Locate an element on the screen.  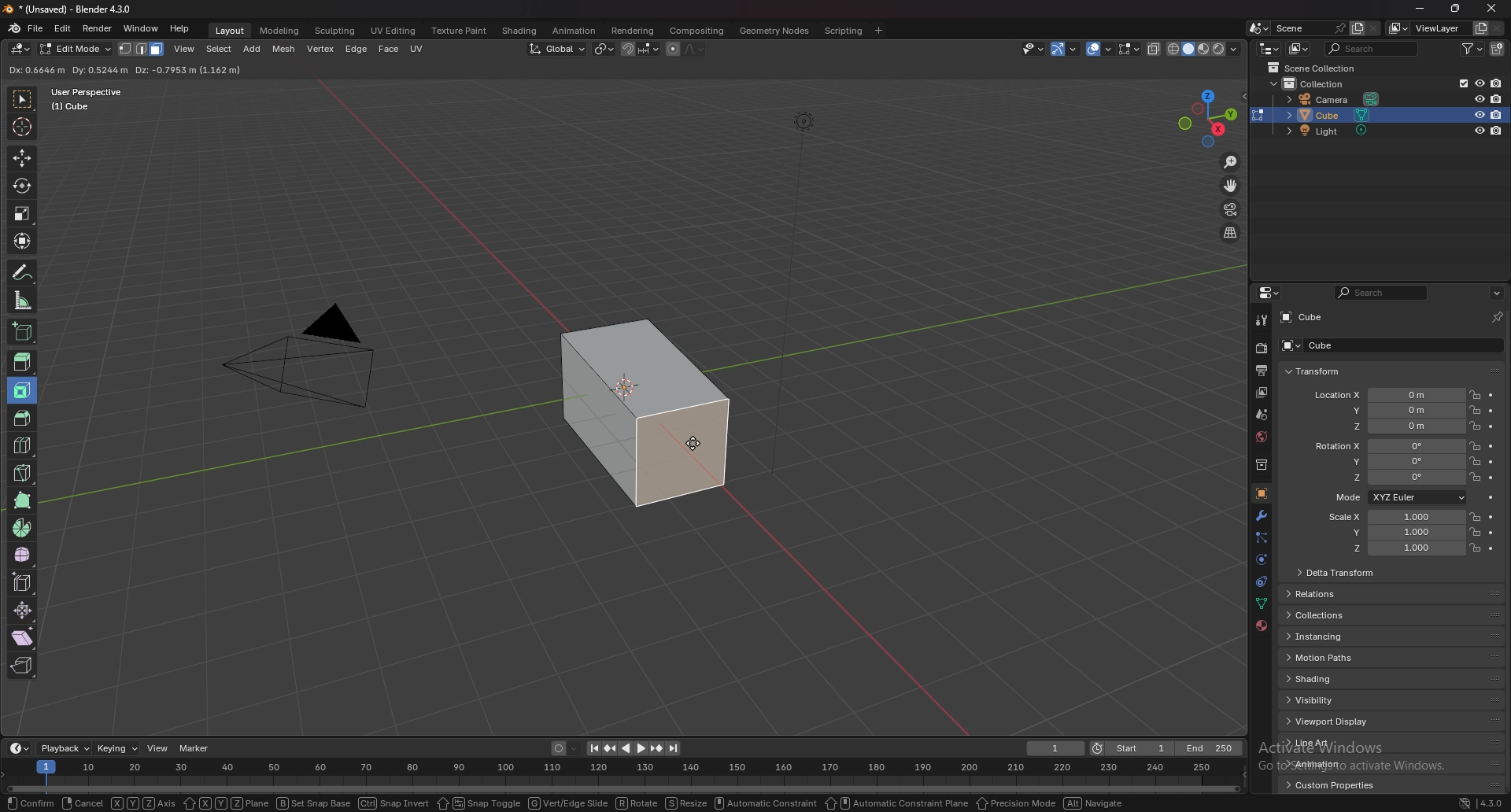
particles is located at coordinates (1260, 539).